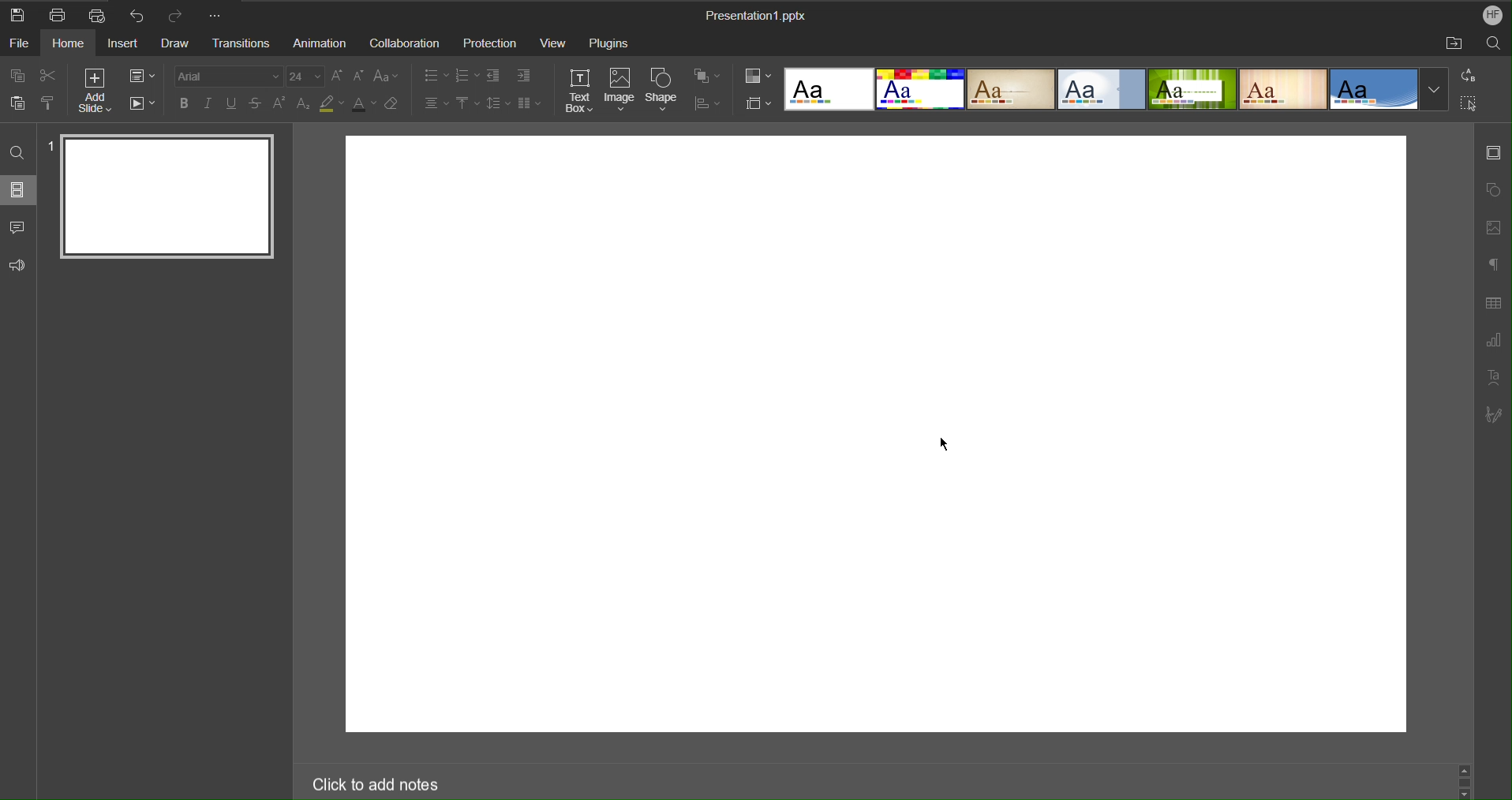 The width and height of the screenshot is (1512, 800). Describe the element at coordinates (530, 105) in the screenshot. I see `Column` at that location.